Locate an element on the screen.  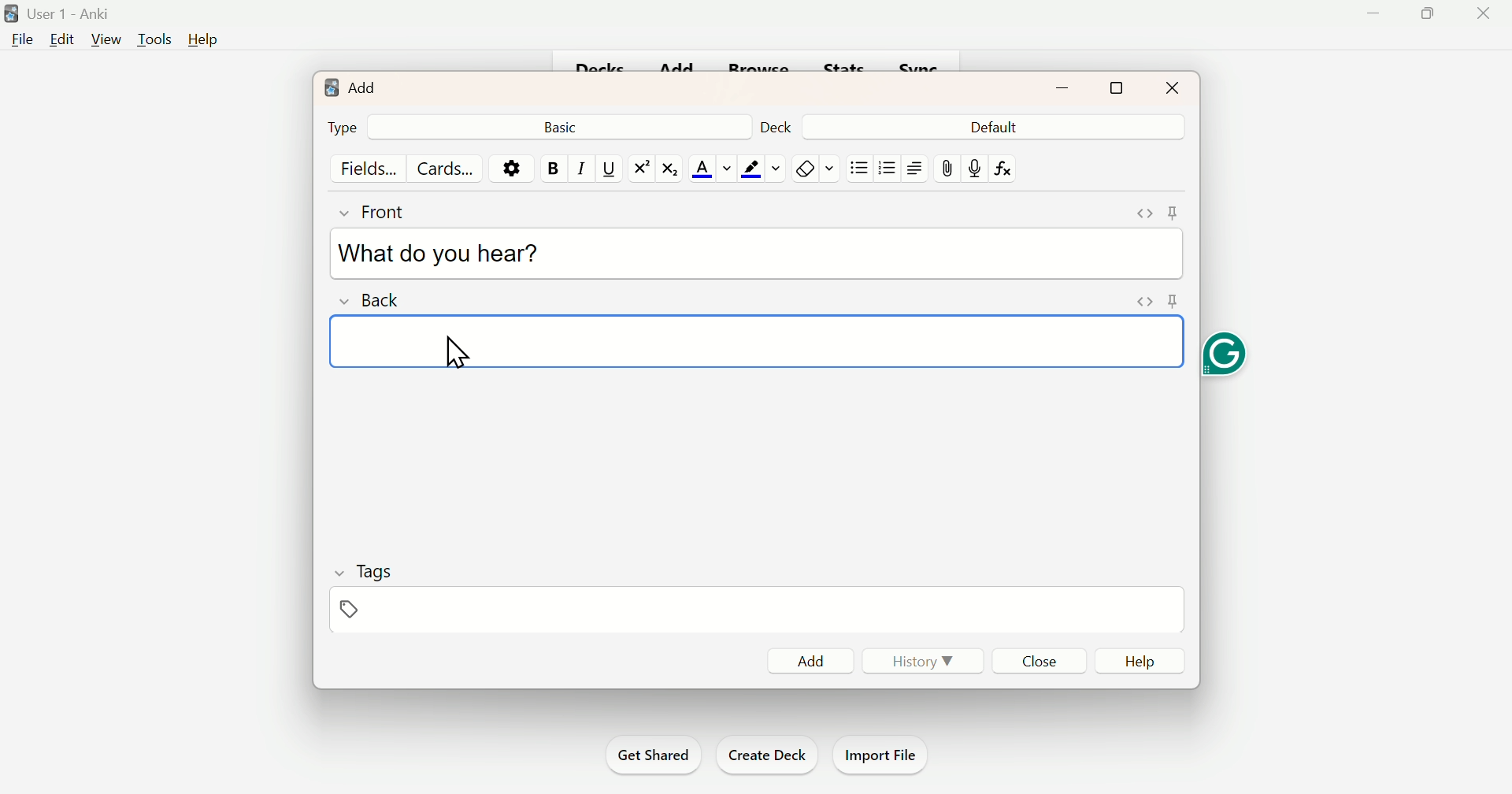
Italiac is located at coordinates (580, 167).